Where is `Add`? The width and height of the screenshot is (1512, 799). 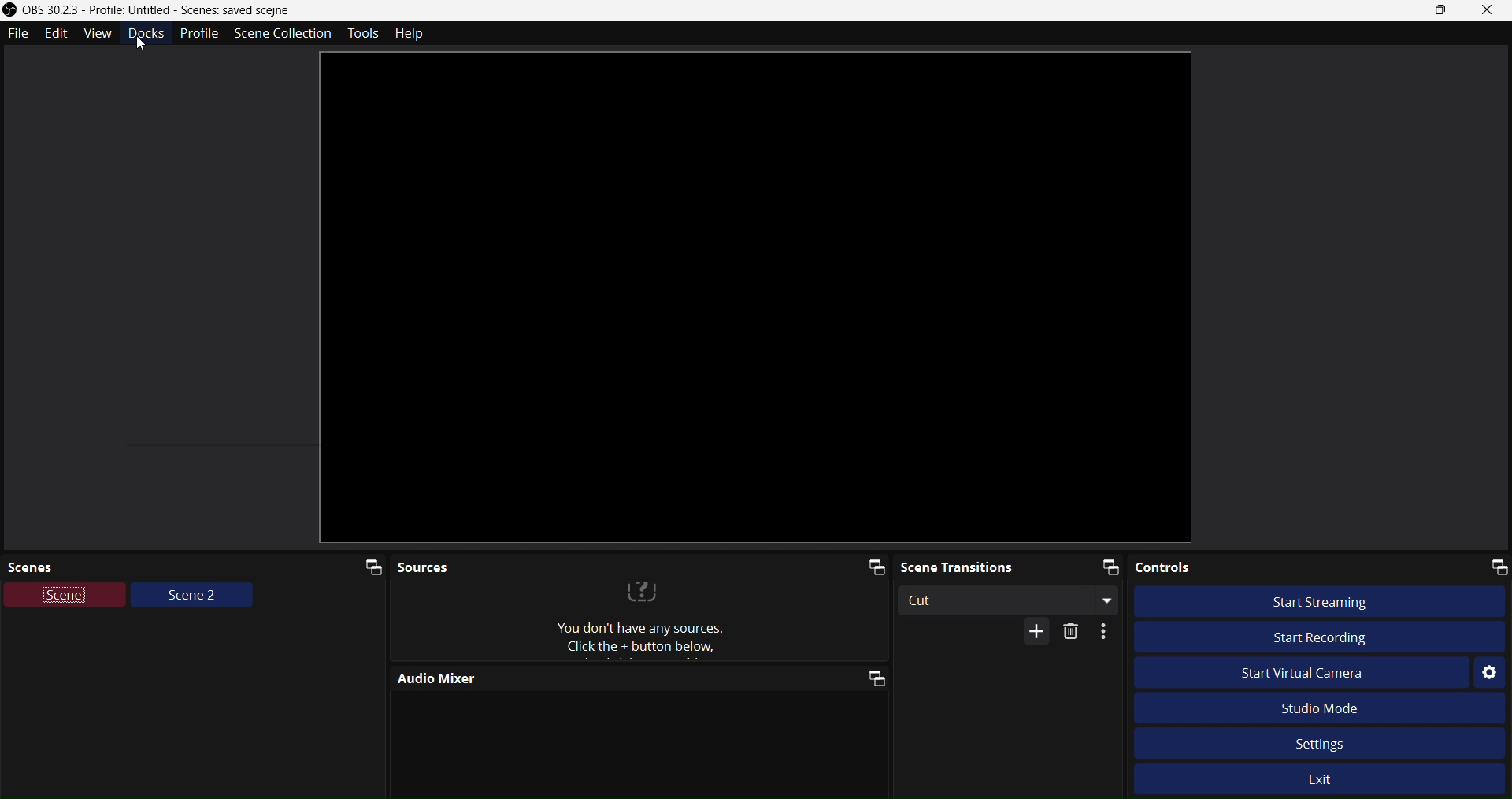 Add is located at coordinates (1028, 633).